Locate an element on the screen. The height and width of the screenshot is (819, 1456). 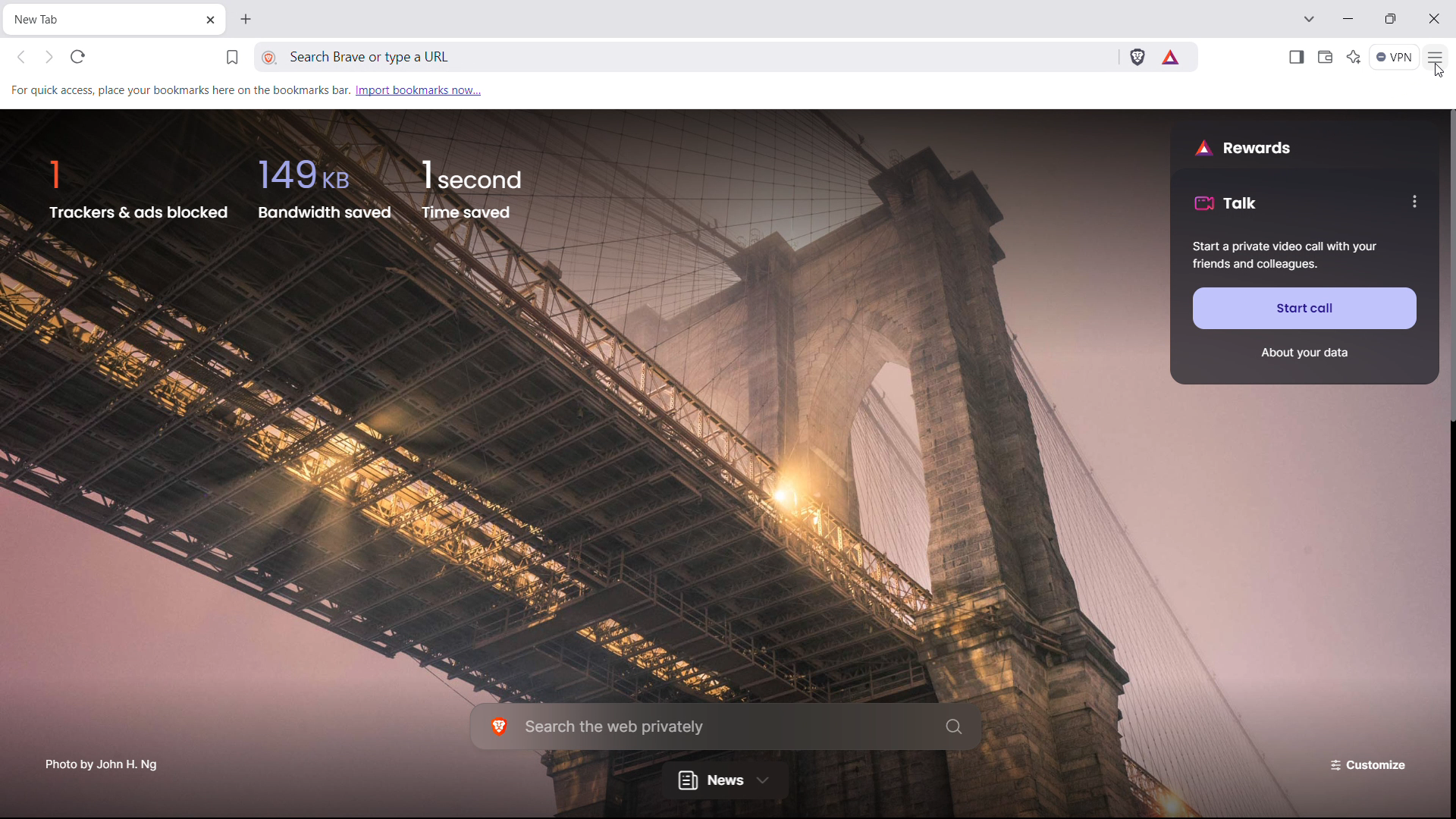
bookmark this tab is located at coordinates (232, 59).